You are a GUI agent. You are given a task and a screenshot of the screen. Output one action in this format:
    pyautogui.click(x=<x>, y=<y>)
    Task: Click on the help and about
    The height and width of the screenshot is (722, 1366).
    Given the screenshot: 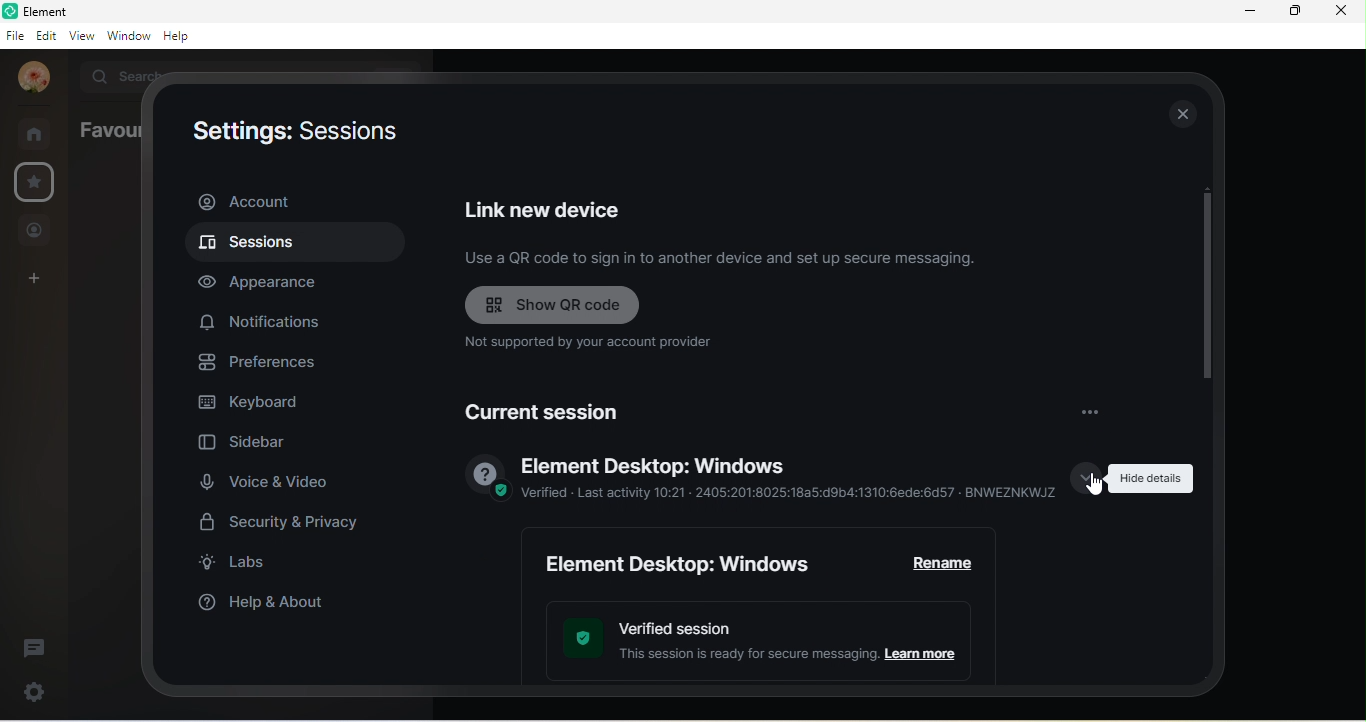 What is the action you would take?
    pyautogui.click(x=273, y=601)
    